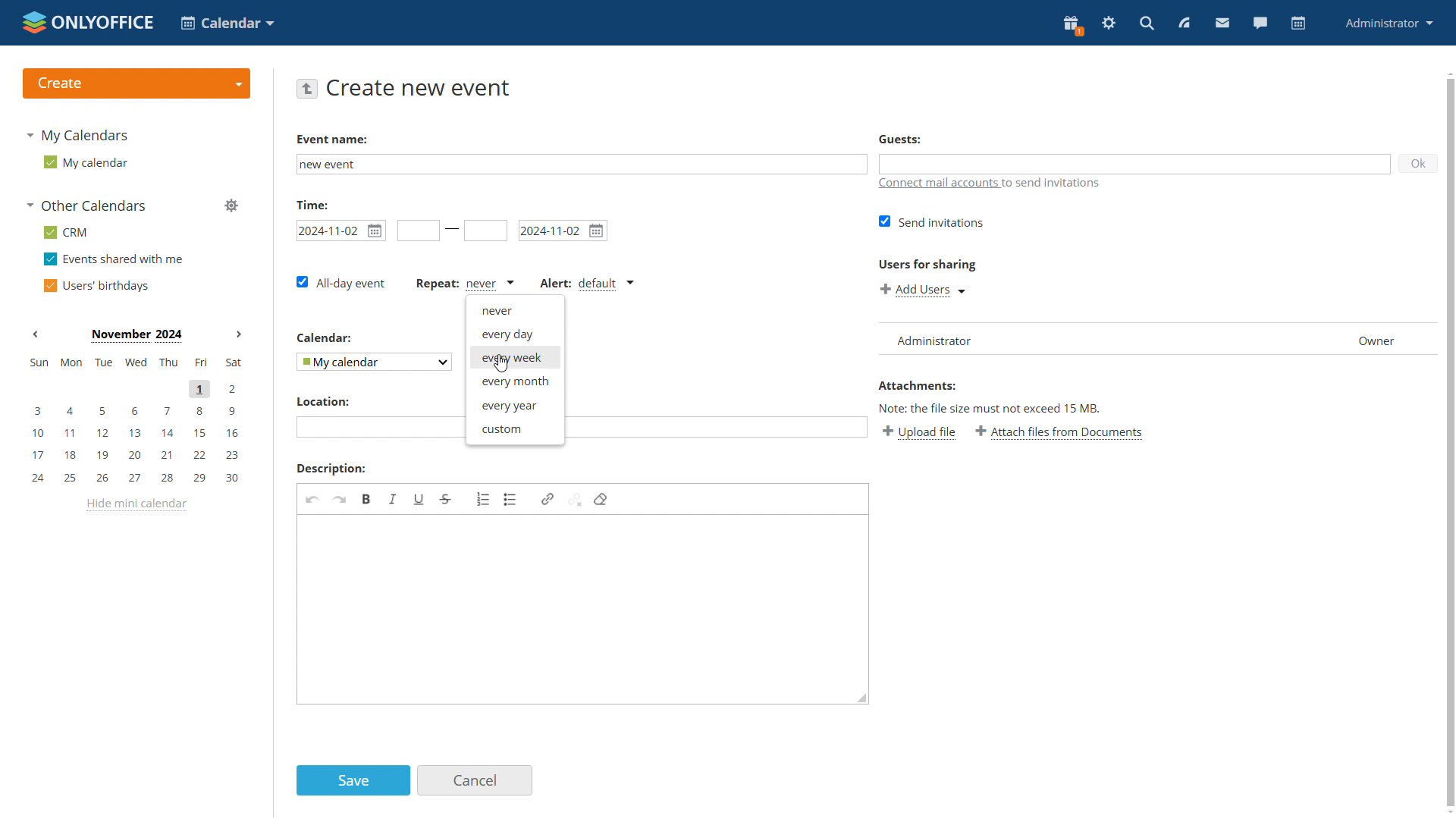 This screenshot has width=1456, height=819. Describe the element at coordinates (419, 500) in the screenshot. I see `underline` at that location.